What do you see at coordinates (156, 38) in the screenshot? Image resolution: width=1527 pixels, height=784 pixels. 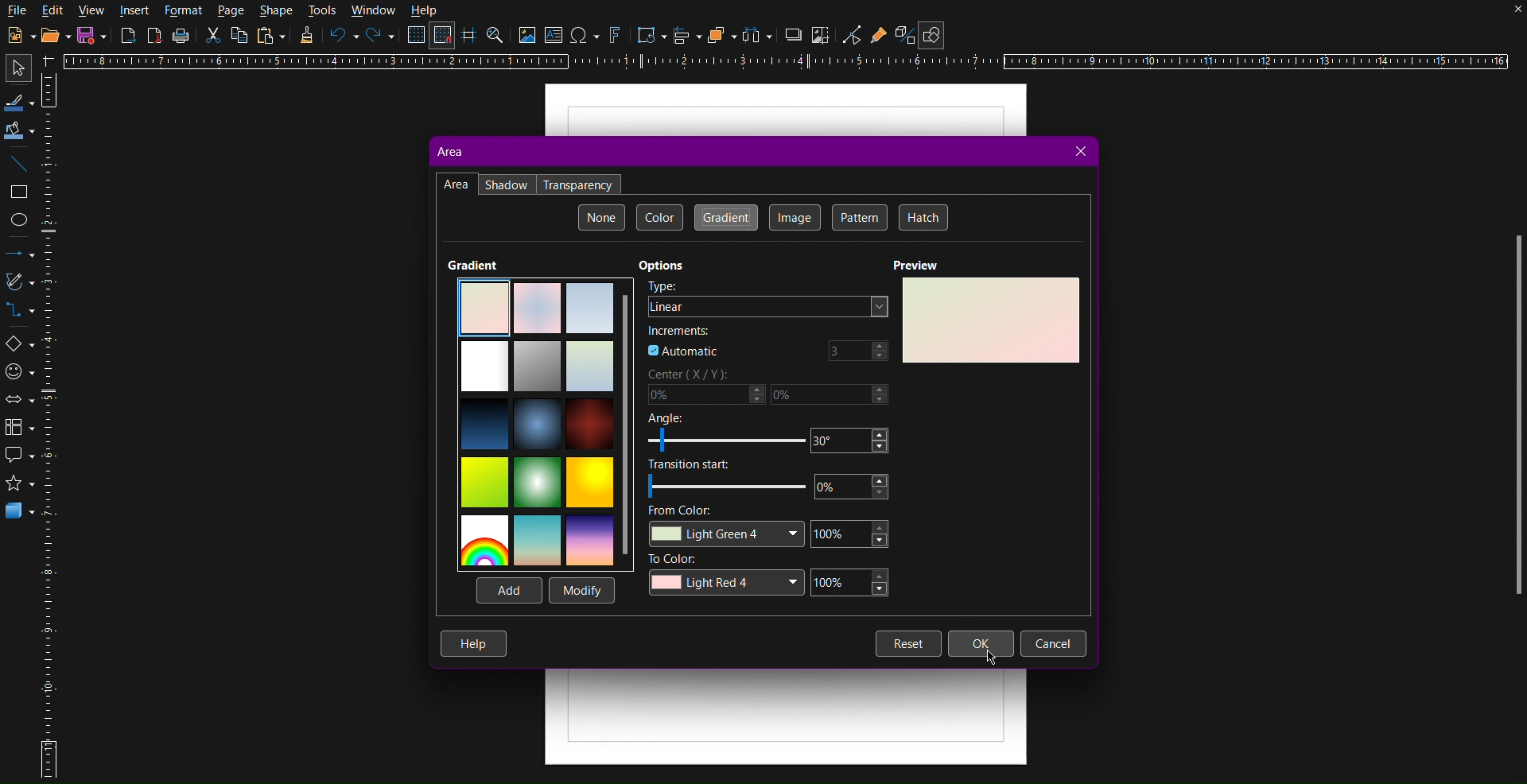 I see `Export as PDF` at bounding box center [156, 38].